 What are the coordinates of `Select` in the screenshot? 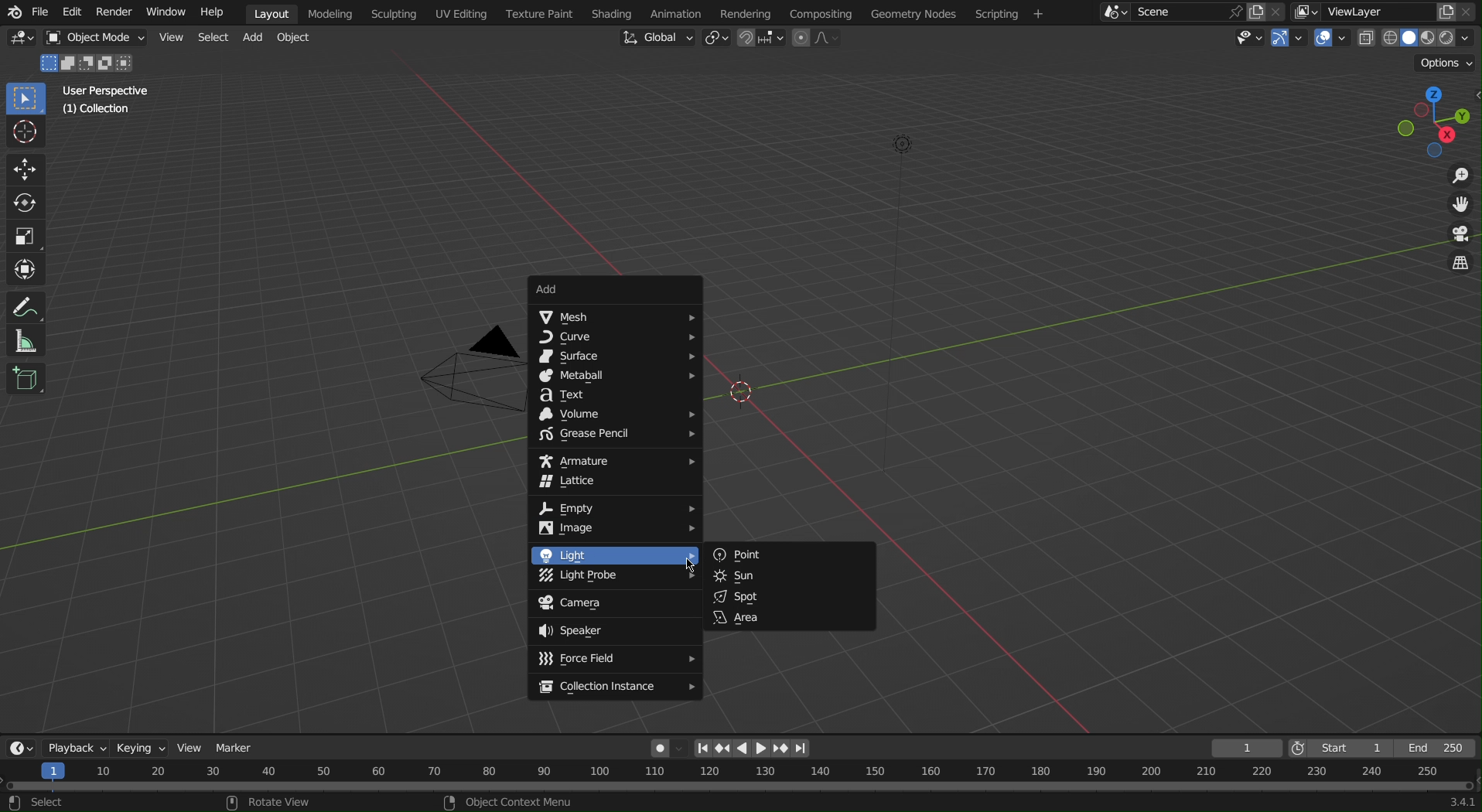 It's located at (43, 803).